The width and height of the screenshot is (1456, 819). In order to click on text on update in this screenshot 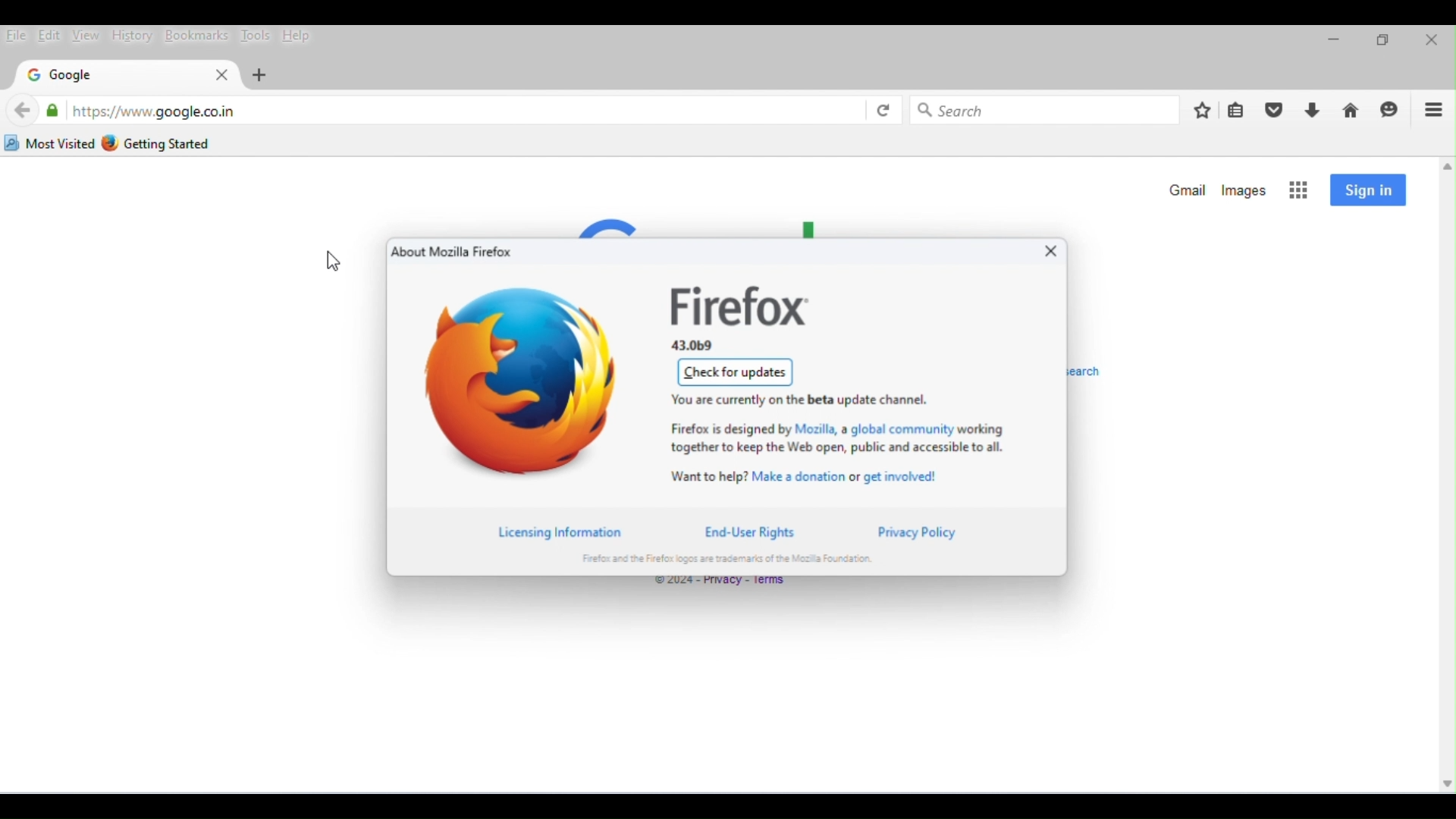, I will do `click(819, 398)`.